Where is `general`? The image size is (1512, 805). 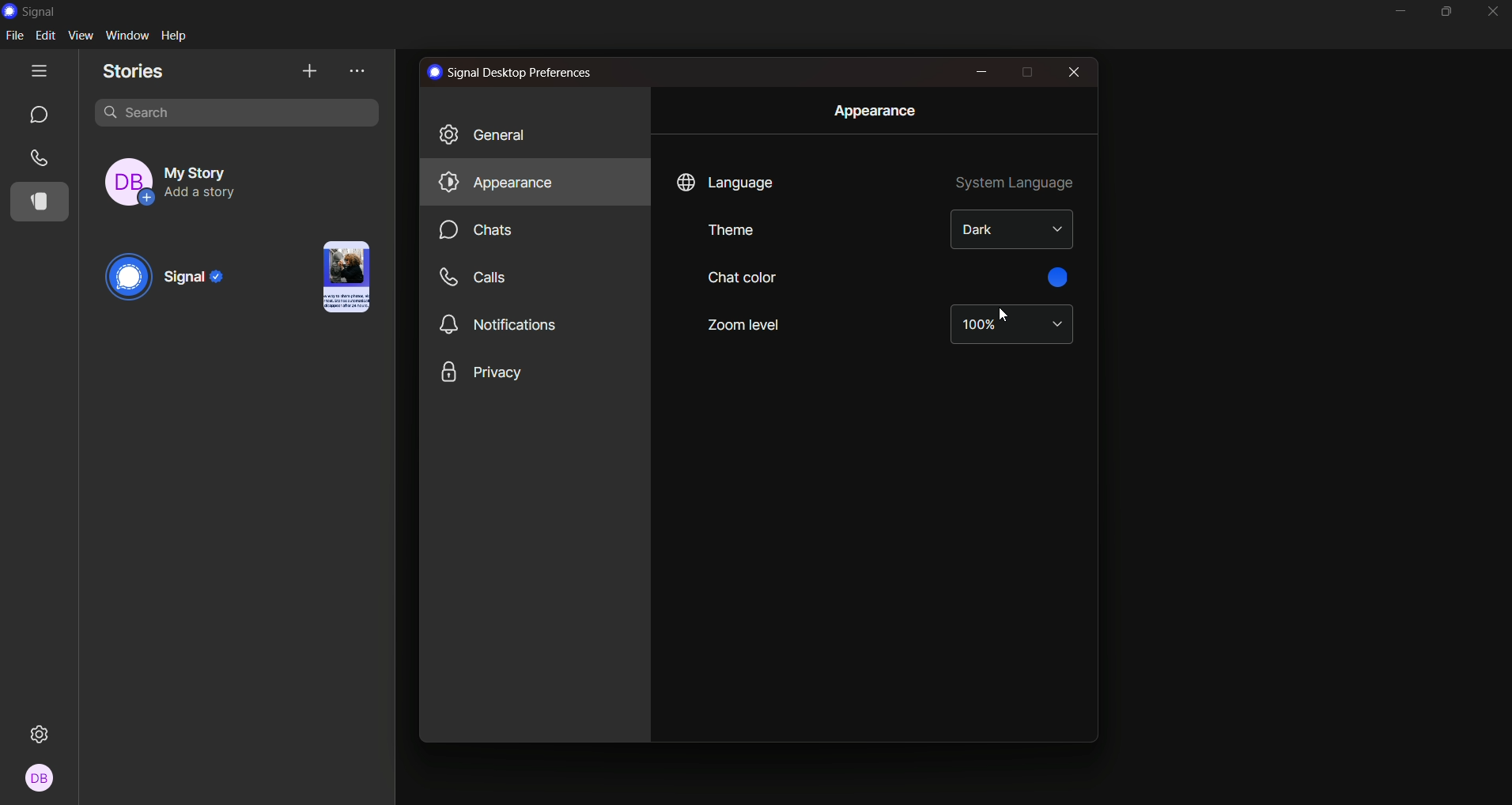
general is located at coordinates (492, 134).